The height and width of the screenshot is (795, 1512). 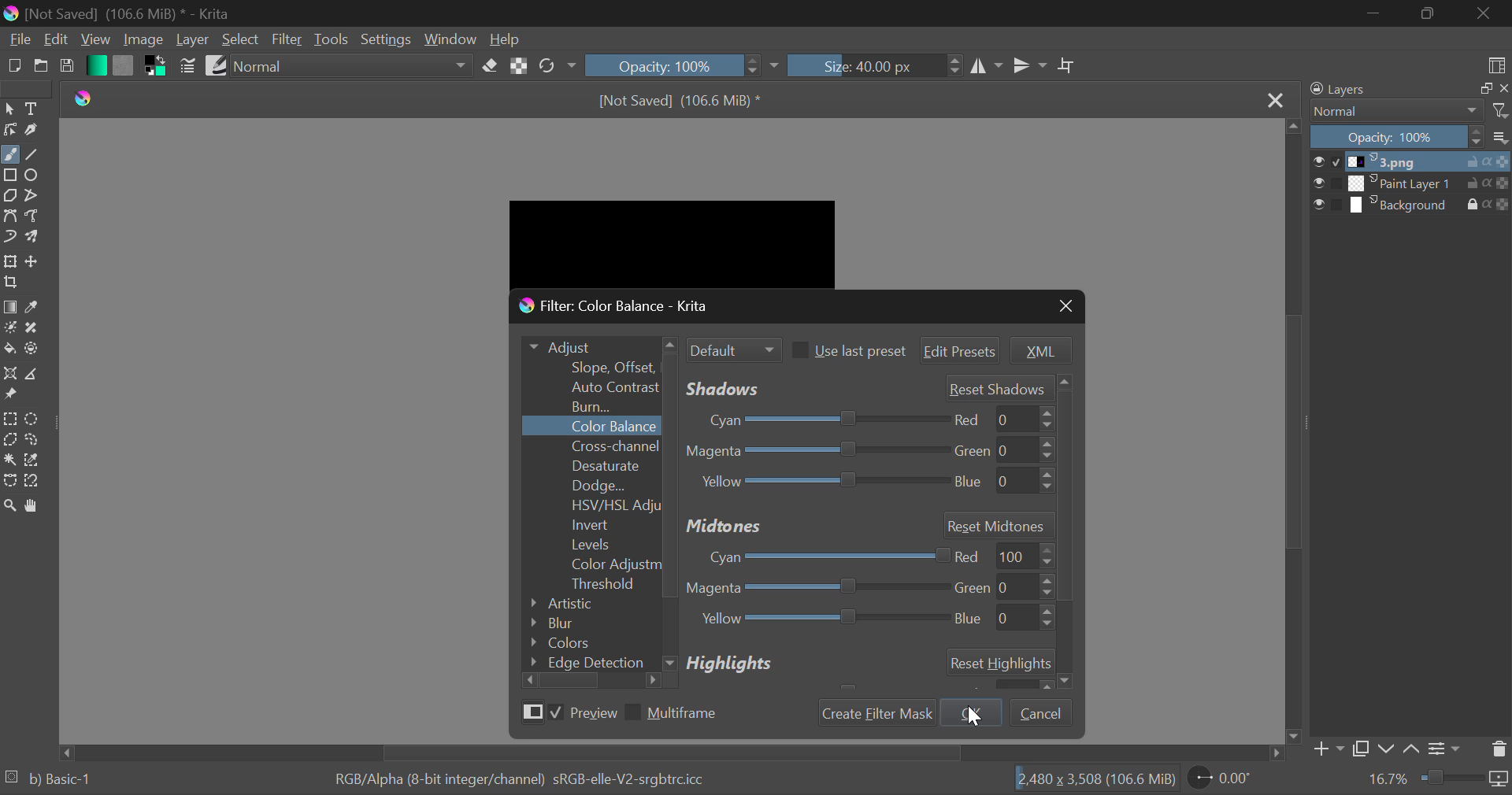 I want to click on Help, so click(x=505, y=39).